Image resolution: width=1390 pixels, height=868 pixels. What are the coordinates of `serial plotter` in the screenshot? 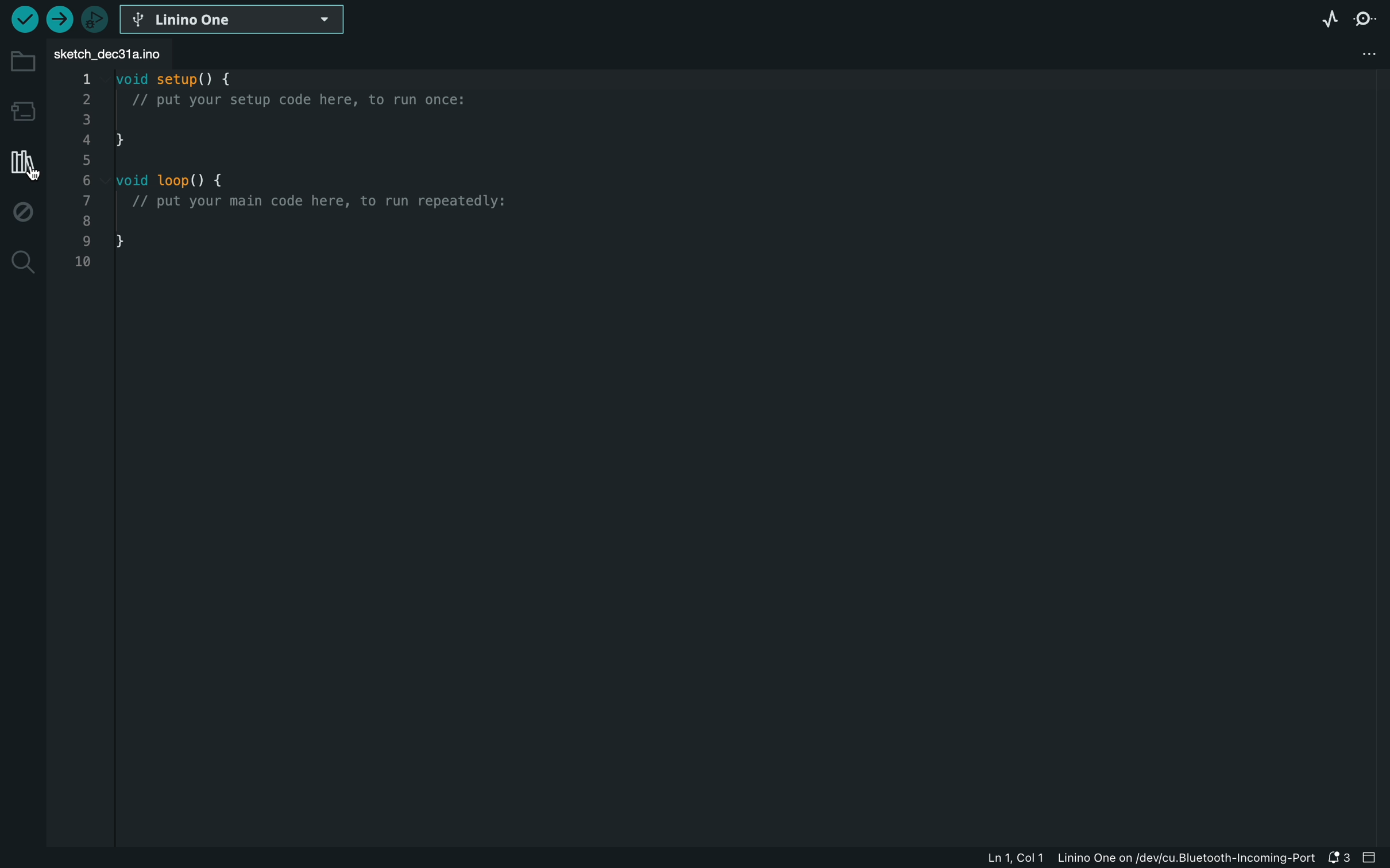 It's located at (1330, 21).